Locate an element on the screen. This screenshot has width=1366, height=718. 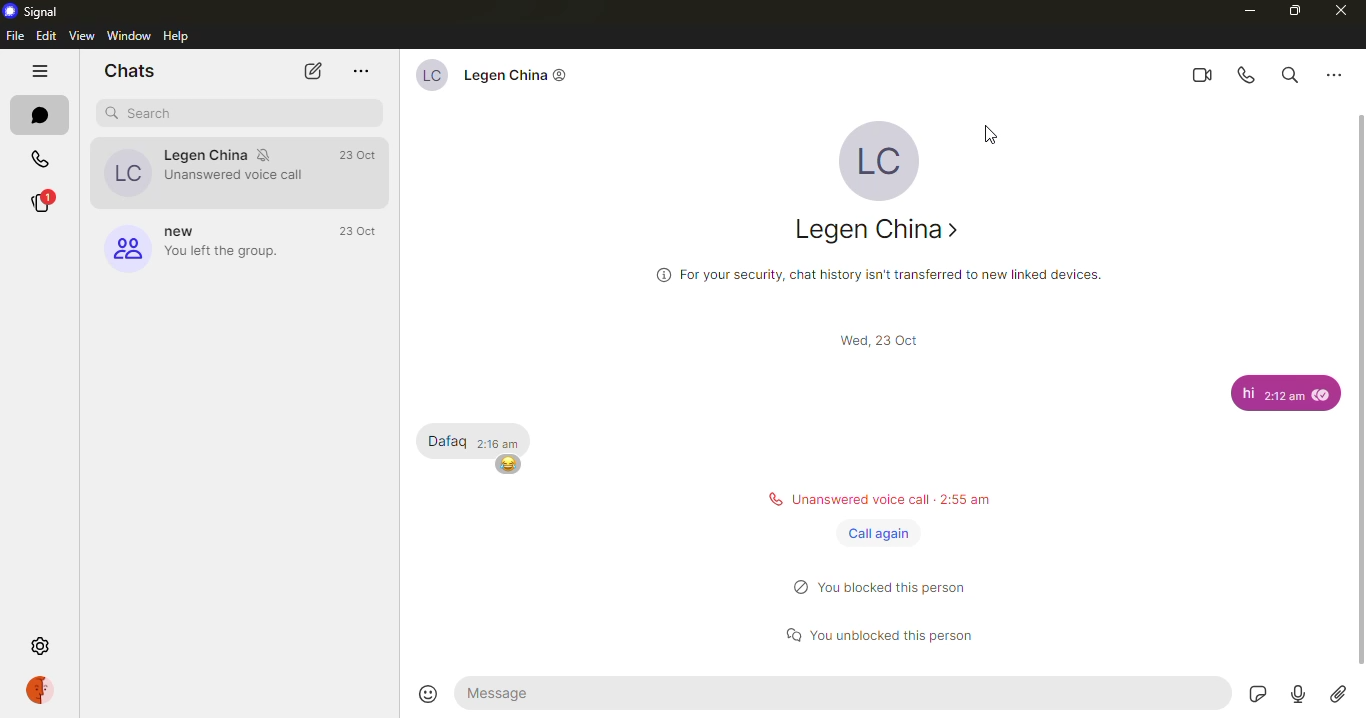
record is located at coordinates (1300, 696).